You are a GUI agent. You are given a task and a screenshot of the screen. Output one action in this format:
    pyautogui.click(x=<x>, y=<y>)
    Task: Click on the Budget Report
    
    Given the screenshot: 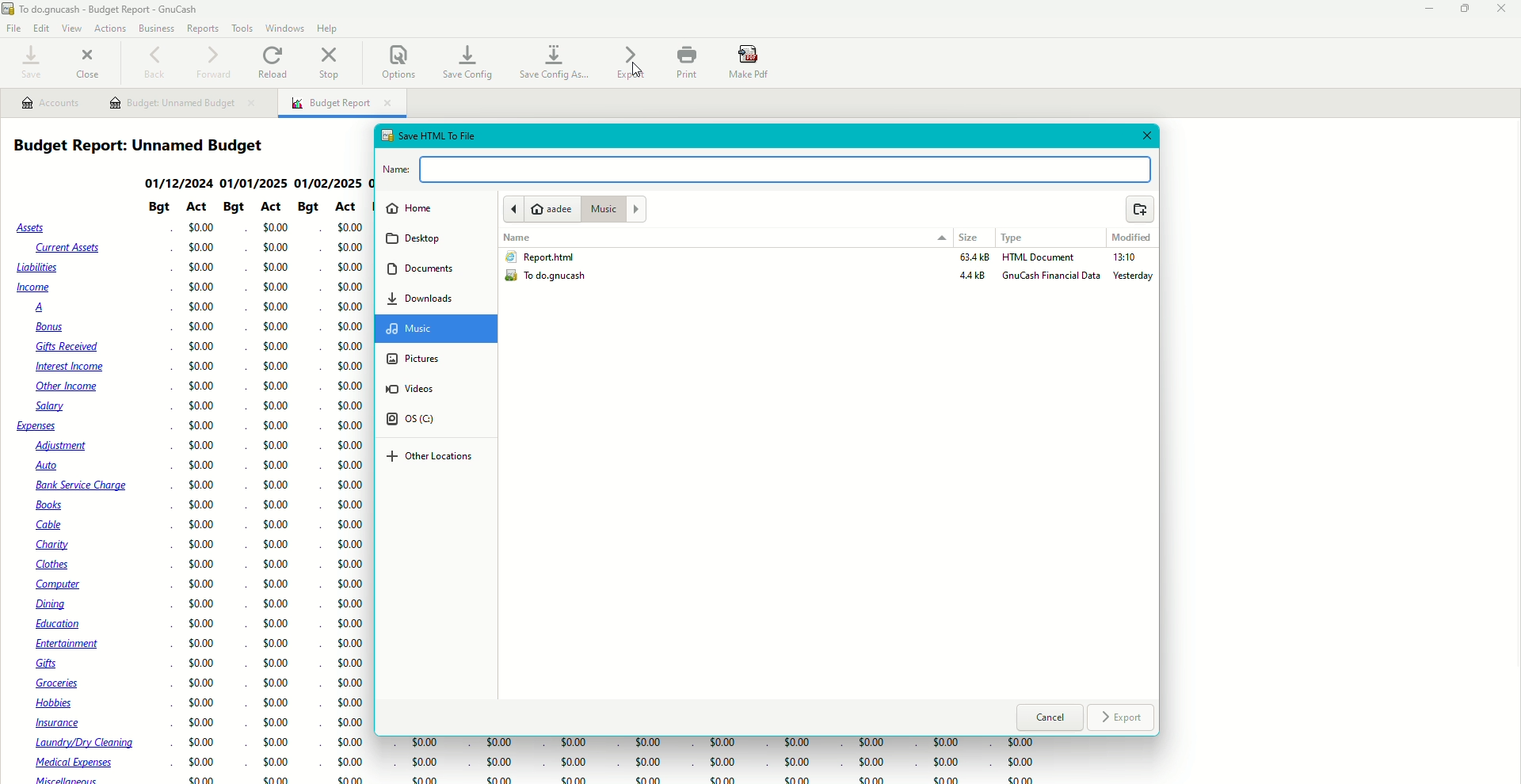 What is the action you would take?
    pyautogui.click(x=342, y=105)
    